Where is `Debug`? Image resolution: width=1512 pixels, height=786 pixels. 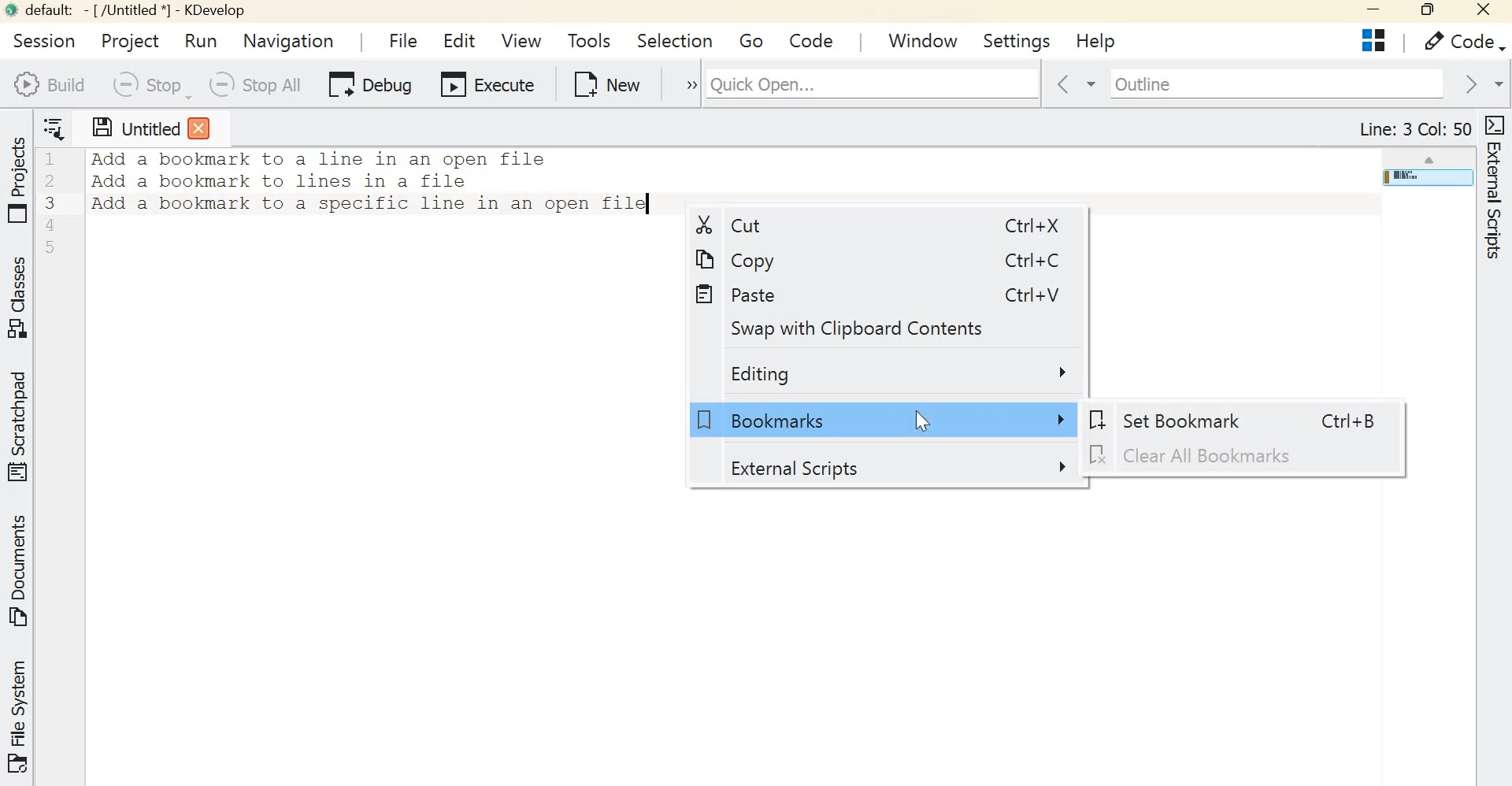 Debug is located at coordinates (368, 83).